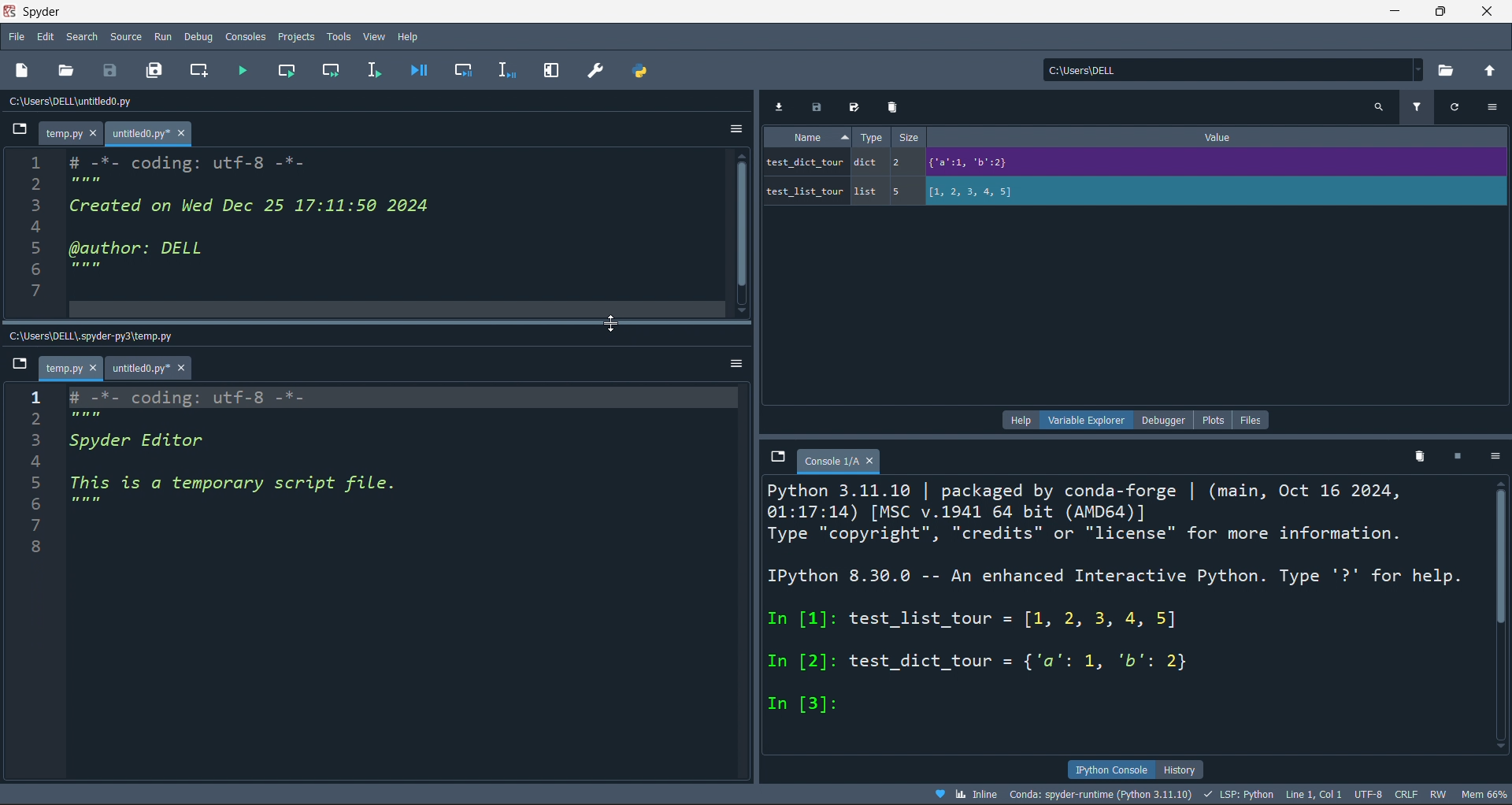 The image size is (1512, 805). I want to click on SAVE, so click(113, 69).